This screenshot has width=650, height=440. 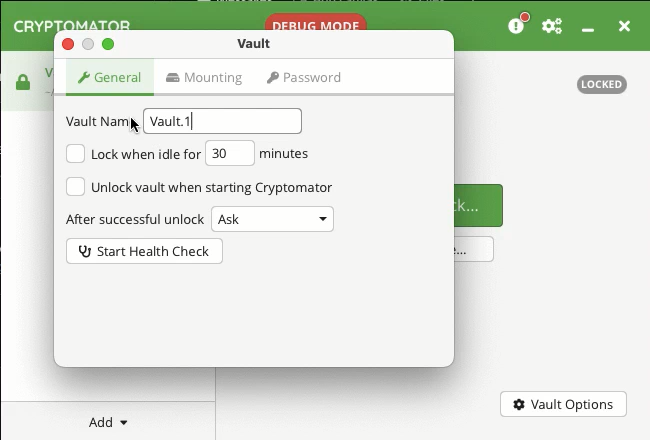 What do you see at coordinates (520, 23) in the screenshot?
I see `more info` at bounding box center [520, 23].